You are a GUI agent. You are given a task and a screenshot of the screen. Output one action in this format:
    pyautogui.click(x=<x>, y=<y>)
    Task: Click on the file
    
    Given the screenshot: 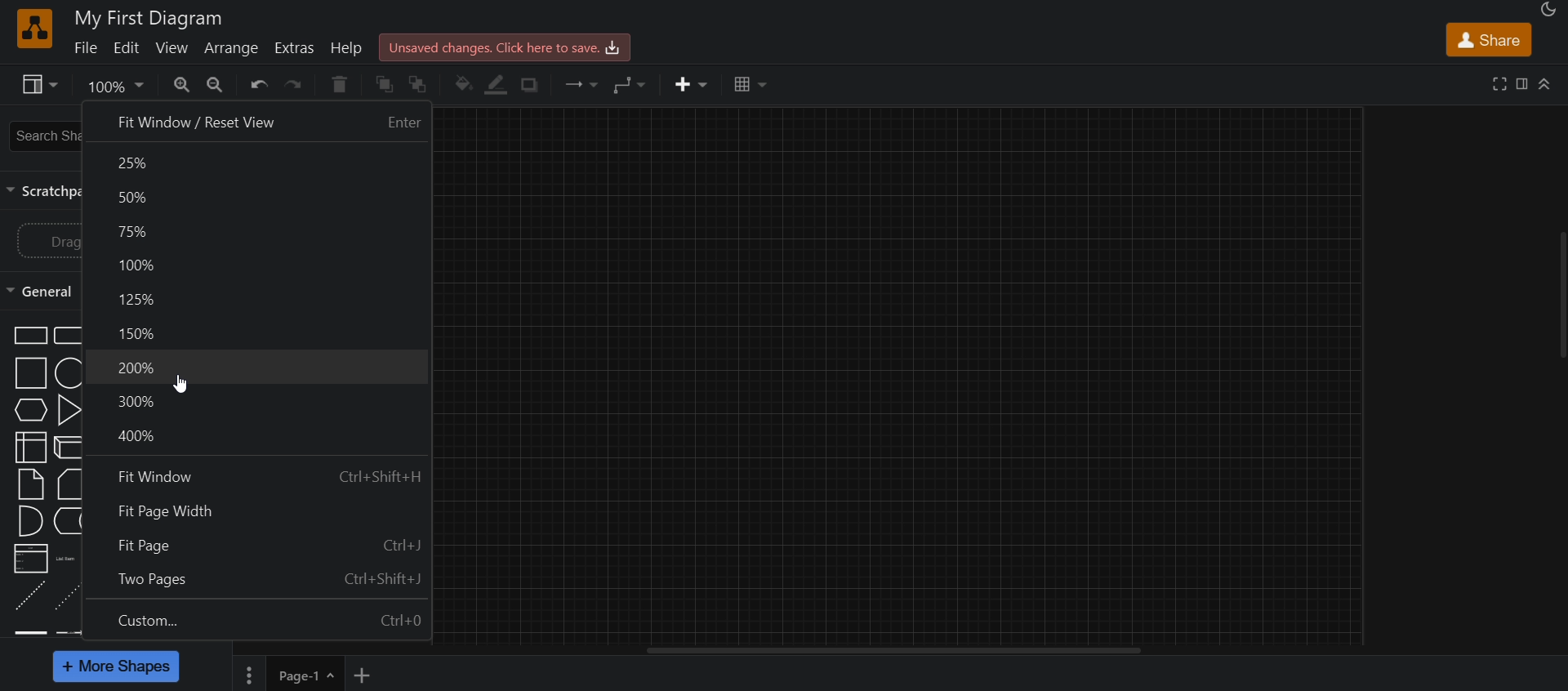 What is the action you would take?
    pyautogui.click(x=85, y=47)
    